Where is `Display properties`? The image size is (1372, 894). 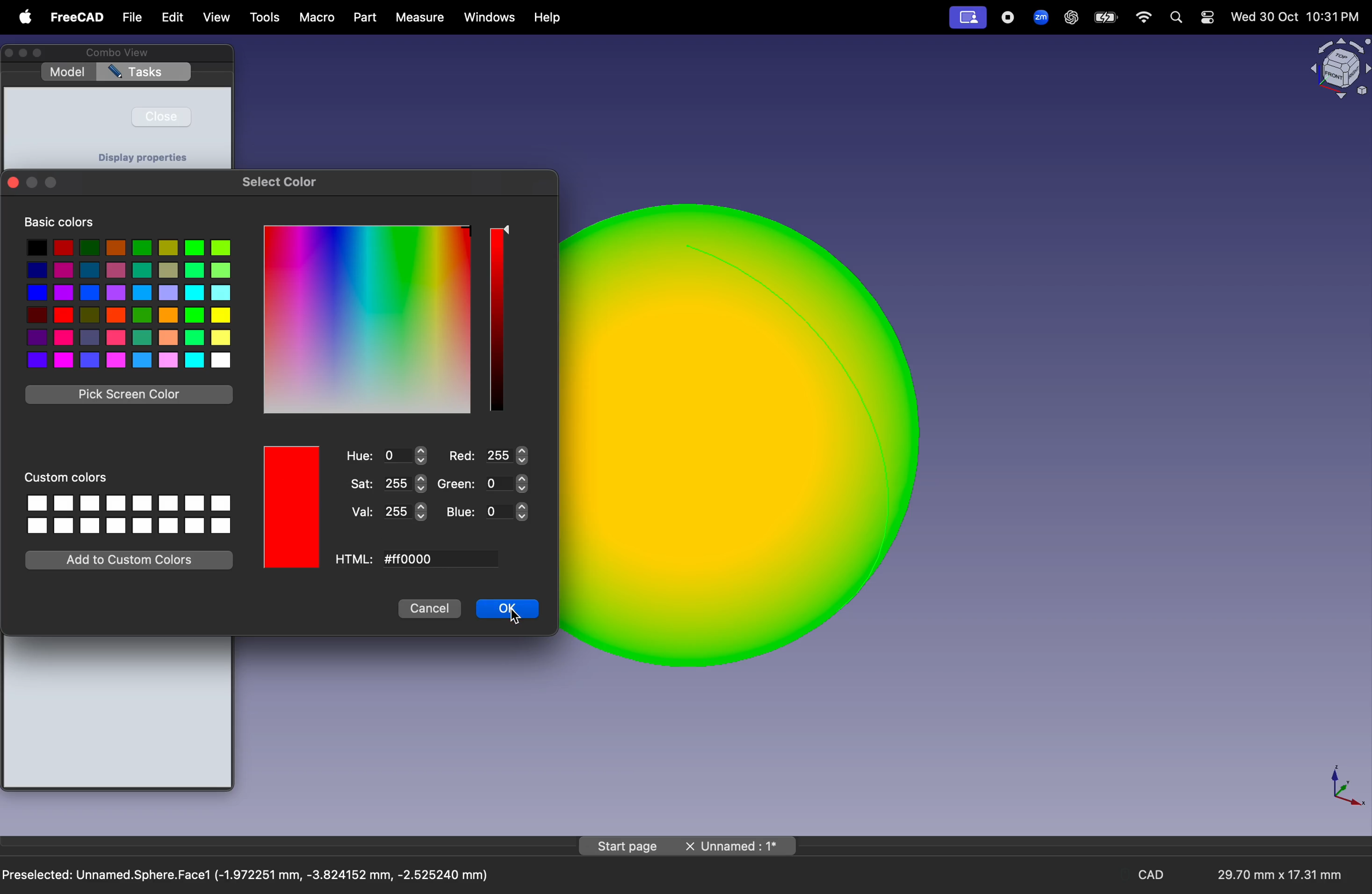
Display properties is located at coordinates (142, 157).